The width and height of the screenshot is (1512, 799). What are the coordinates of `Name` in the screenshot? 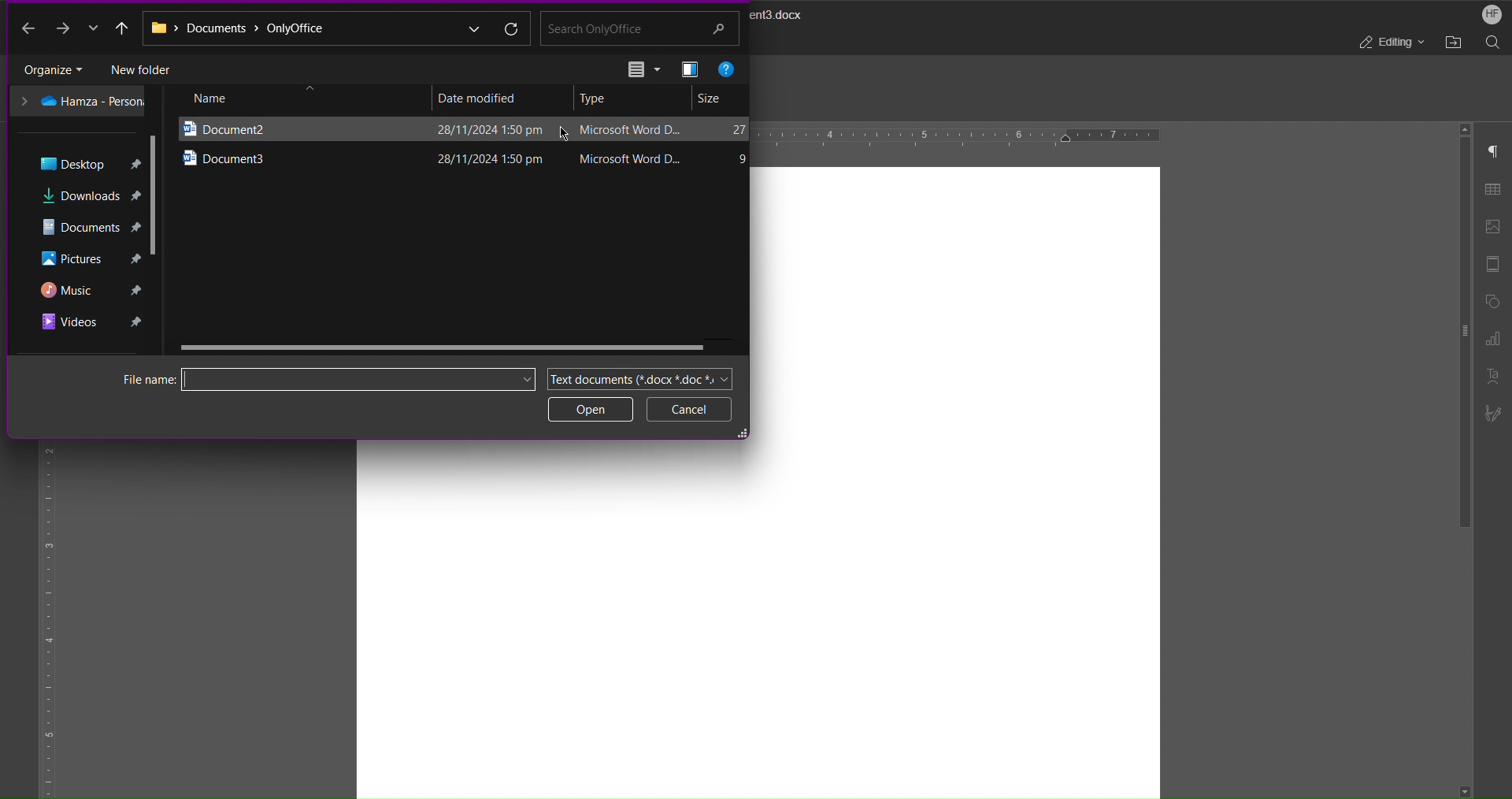 It's located at (281, 98).